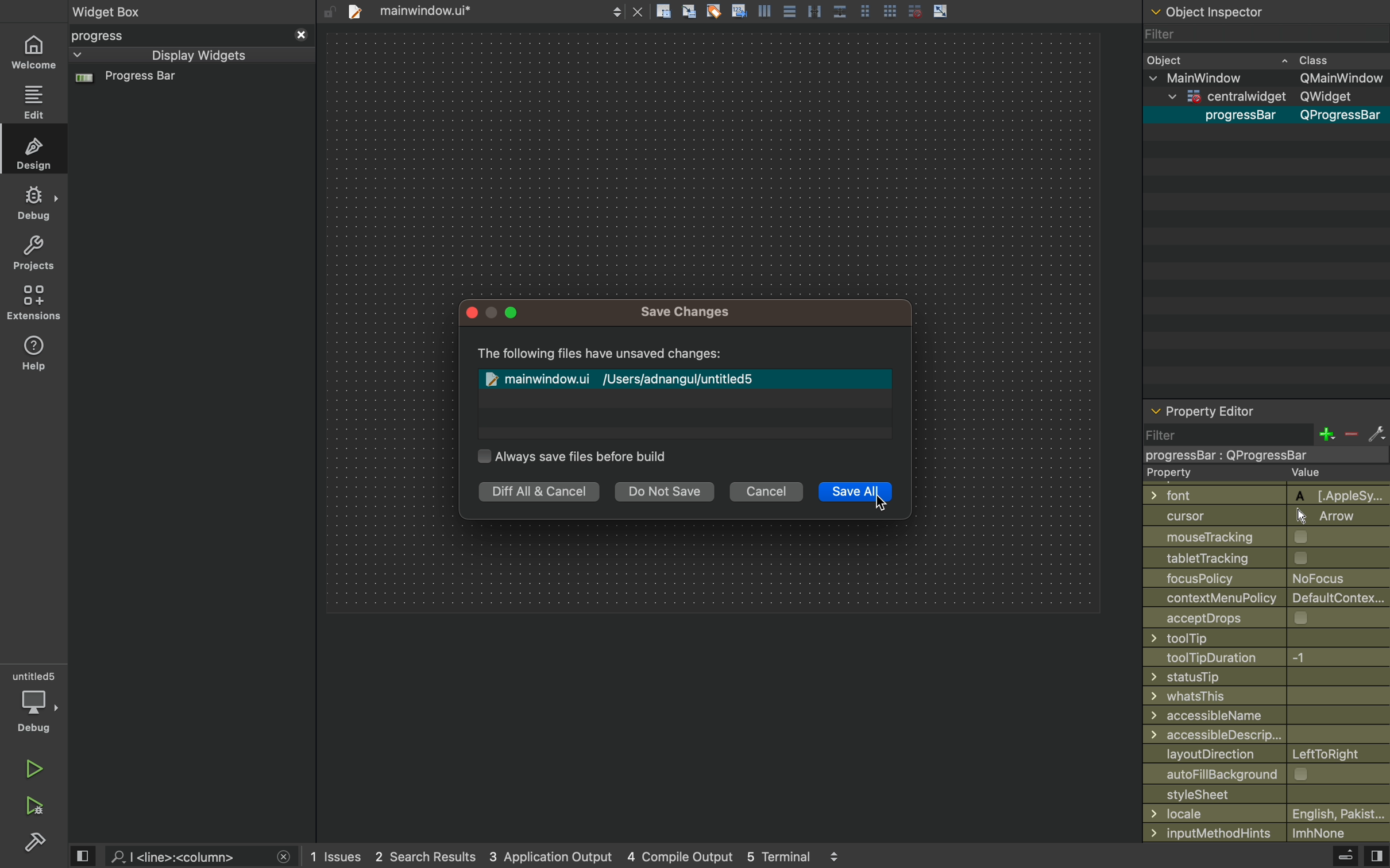  Describe the element at coordinates (78, 858) in the screenshot. I see `` at that location.